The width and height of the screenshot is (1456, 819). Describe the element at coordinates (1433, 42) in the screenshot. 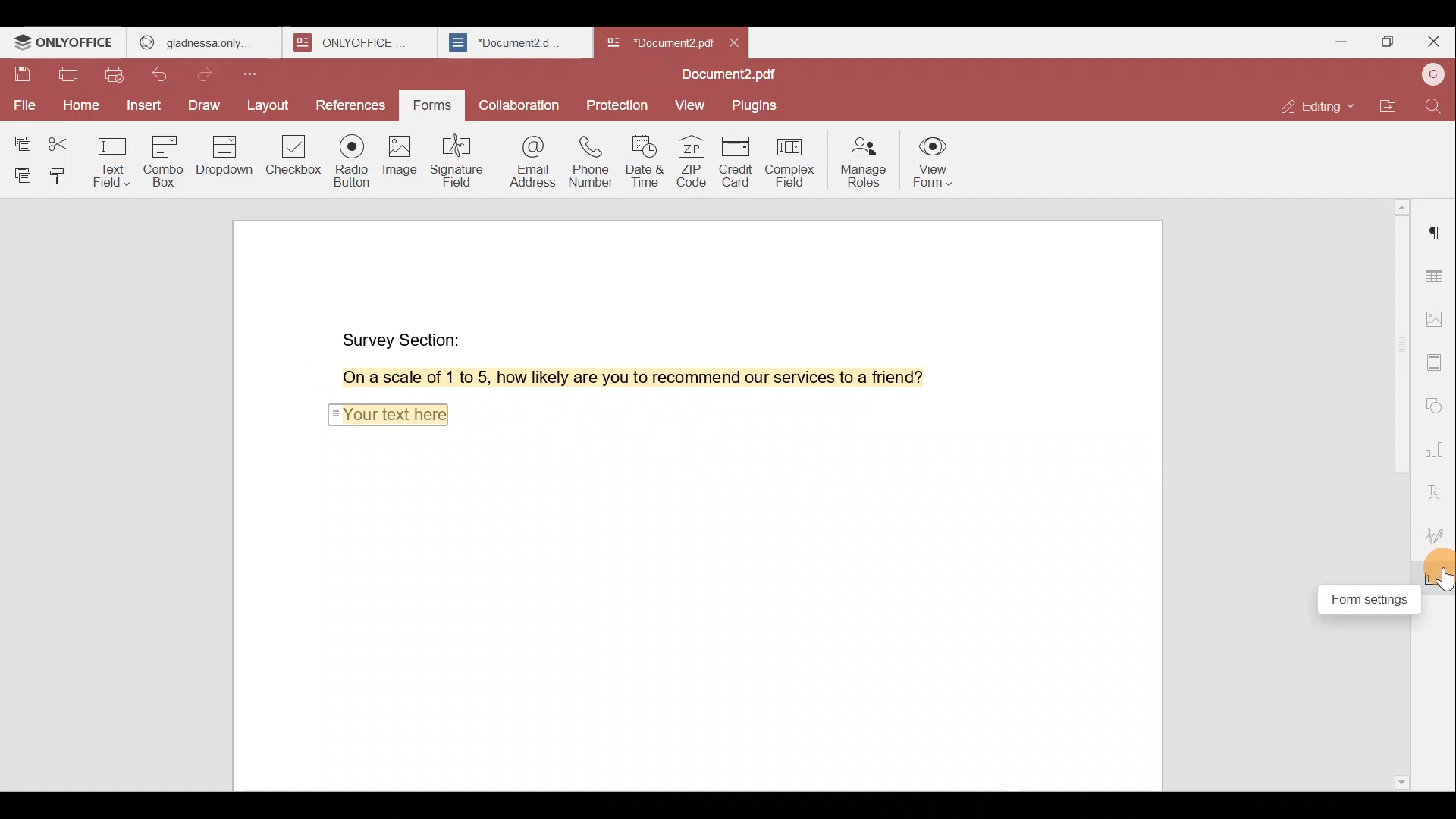

I see `Close` at that location.